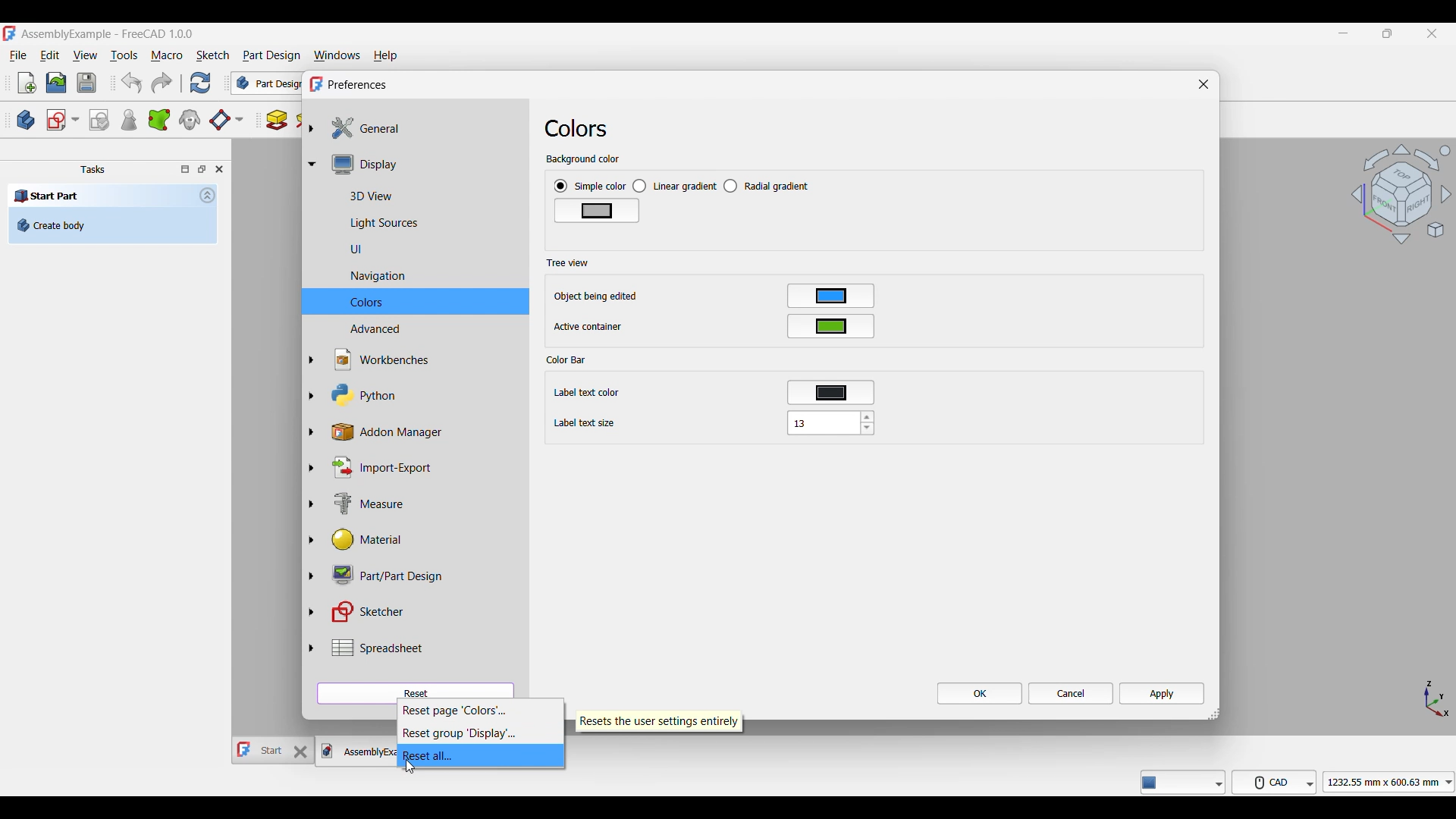  What do you see at coordinates (416, 301) in the screenshot?
I see `Colors, highlighted` at bounding box center [416, 301].